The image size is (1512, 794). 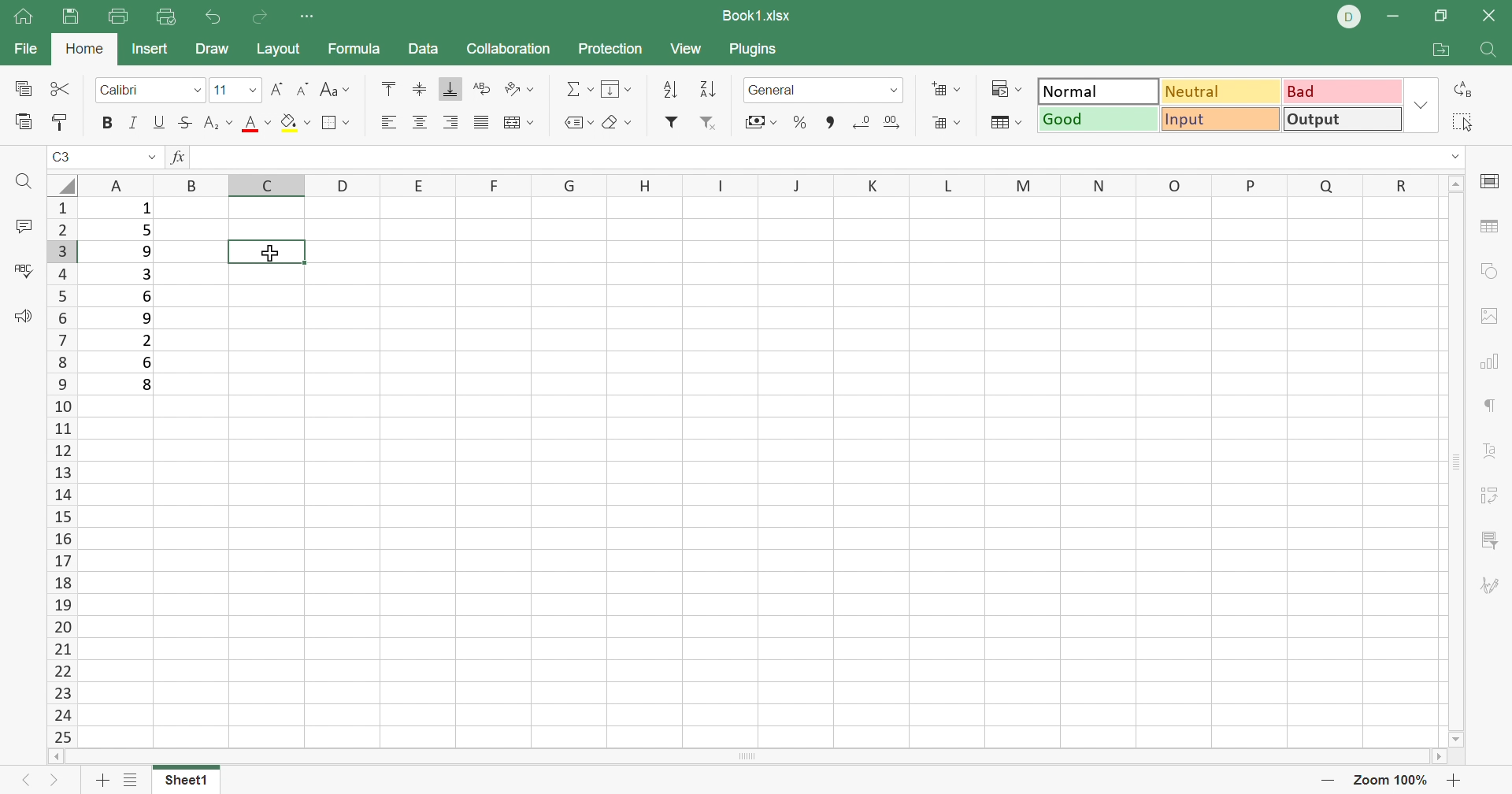 What do you see at coordinates (258, 18) in the screenshot?
I see `Redo` at bounding box center [258, 18].